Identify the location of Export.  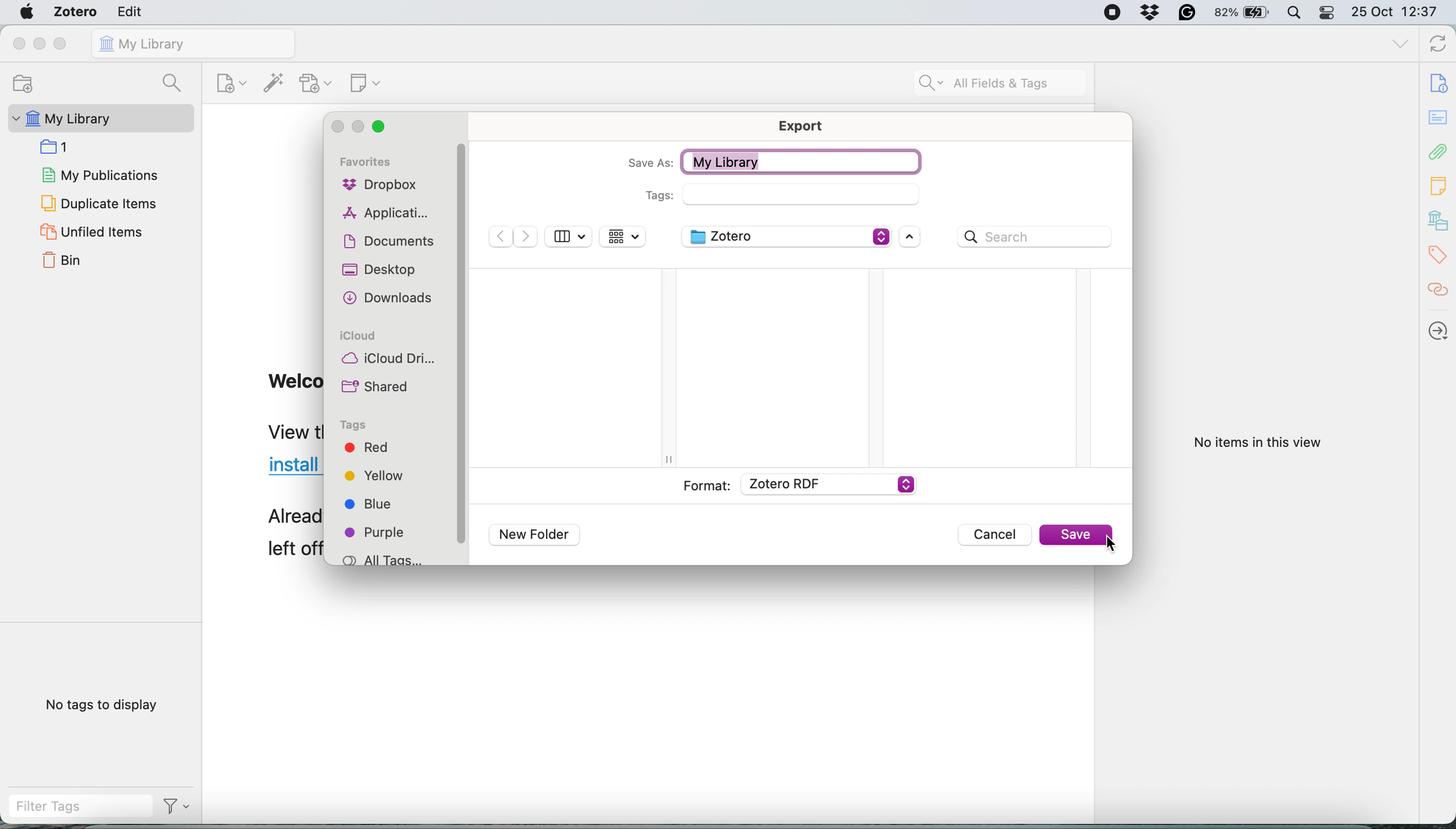
(801, 125).